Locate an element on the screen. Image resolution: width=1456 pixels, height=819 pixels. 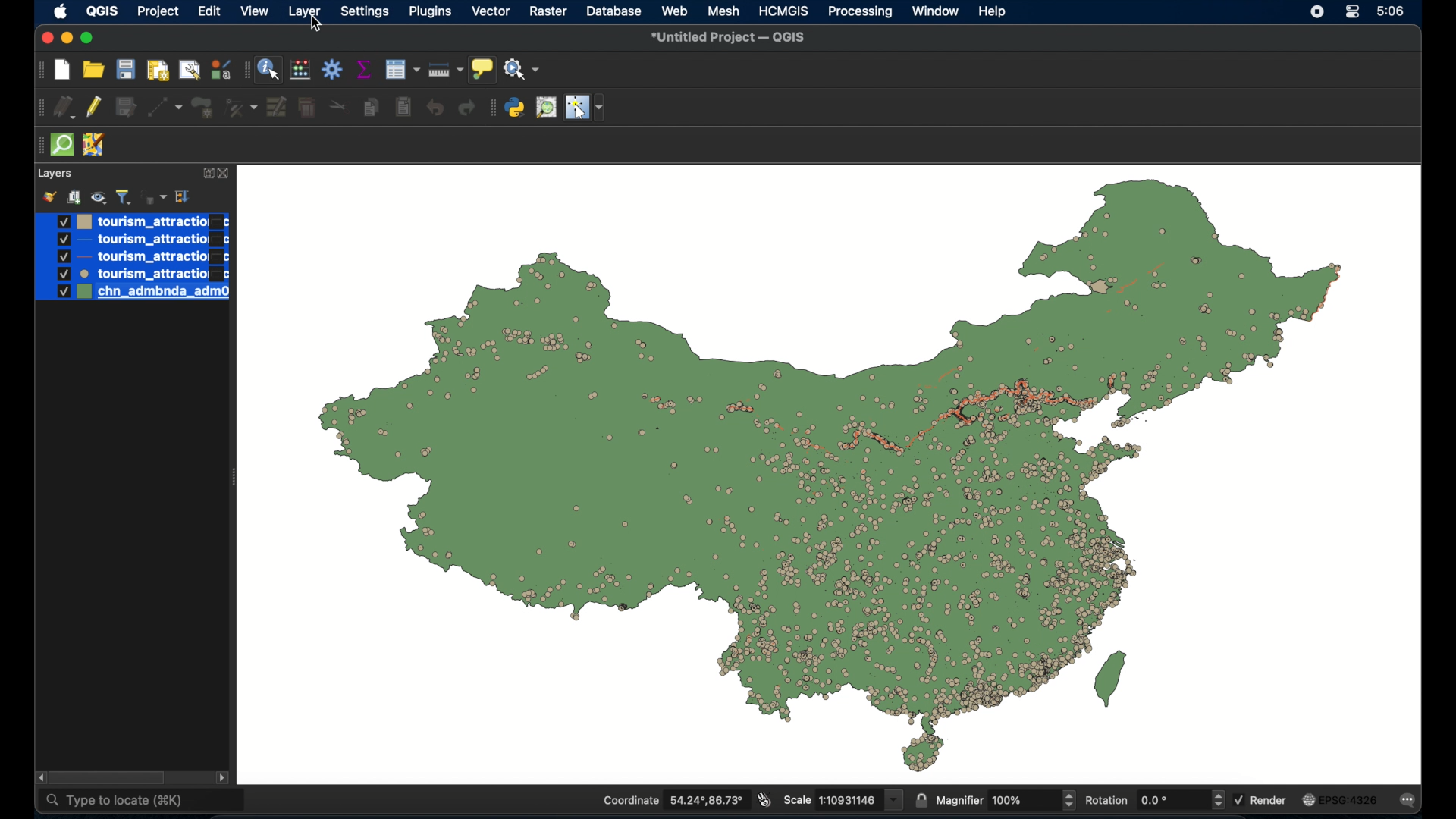
control center is located at coordinates (1355, 13).